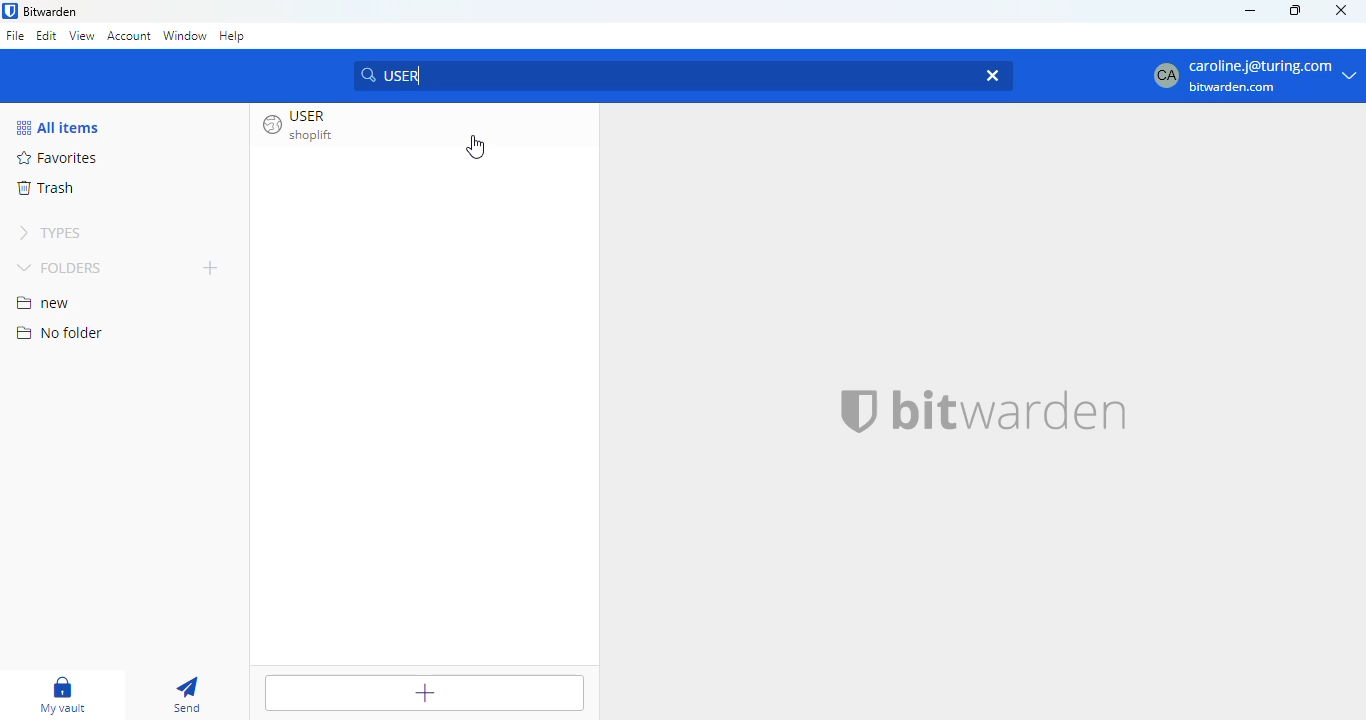  What do you see at coordinates (1296, 10) in the screenshot?
I see `maximize` at bounding box center [1296, 10].